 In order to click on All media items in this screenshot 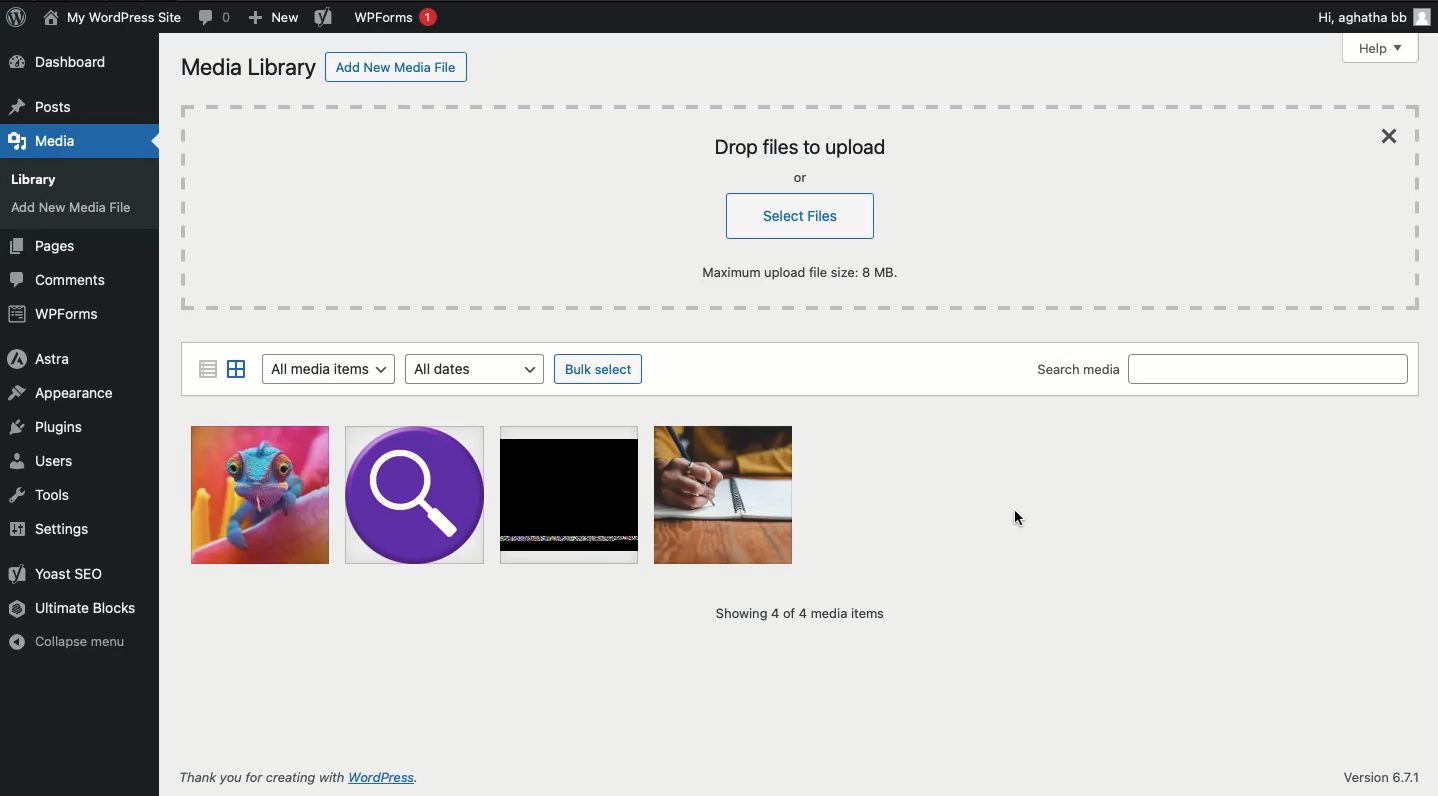, I will do `click(327, 370)`.